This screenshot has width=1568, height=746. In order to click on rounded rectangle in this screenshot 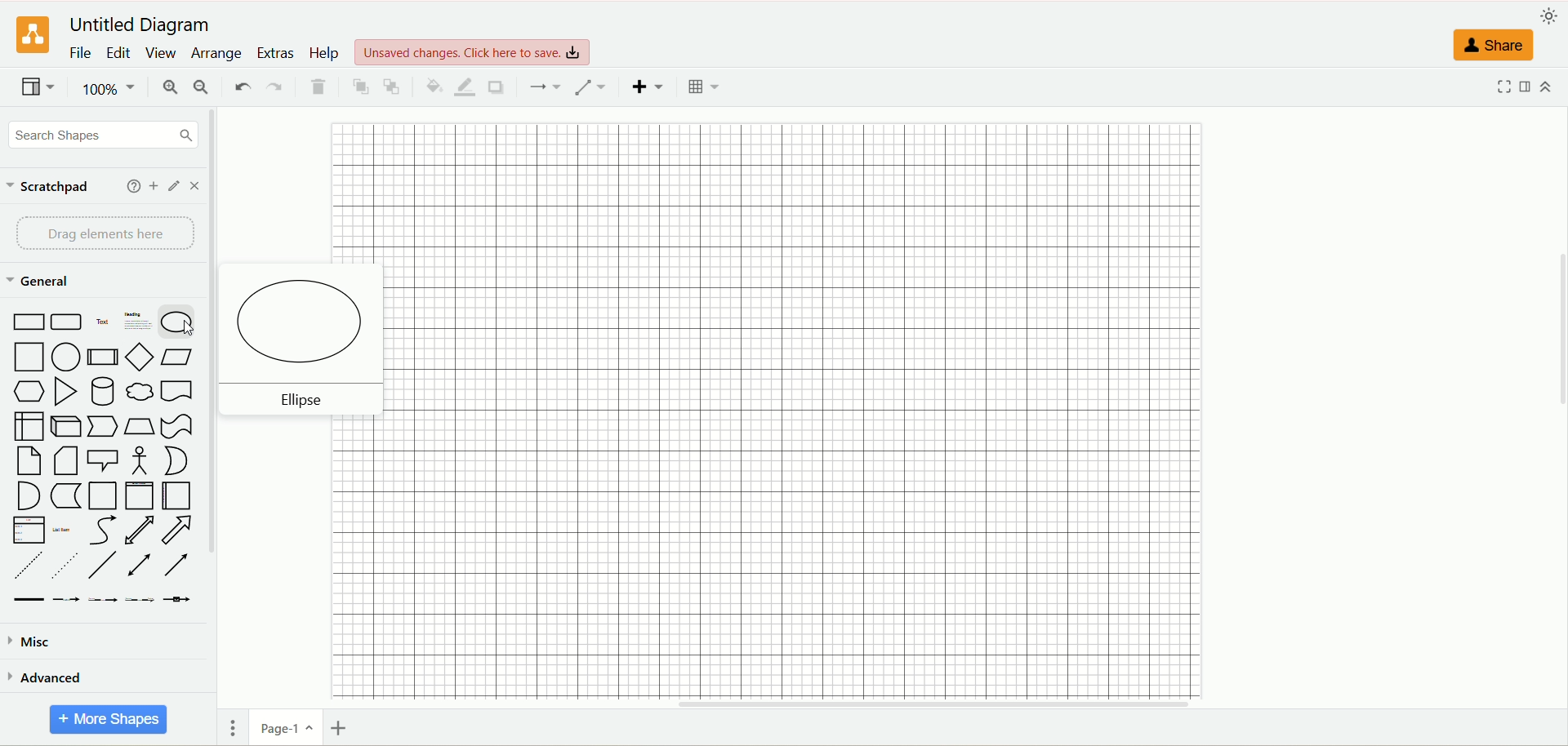, I will do `click(66, 322)`.